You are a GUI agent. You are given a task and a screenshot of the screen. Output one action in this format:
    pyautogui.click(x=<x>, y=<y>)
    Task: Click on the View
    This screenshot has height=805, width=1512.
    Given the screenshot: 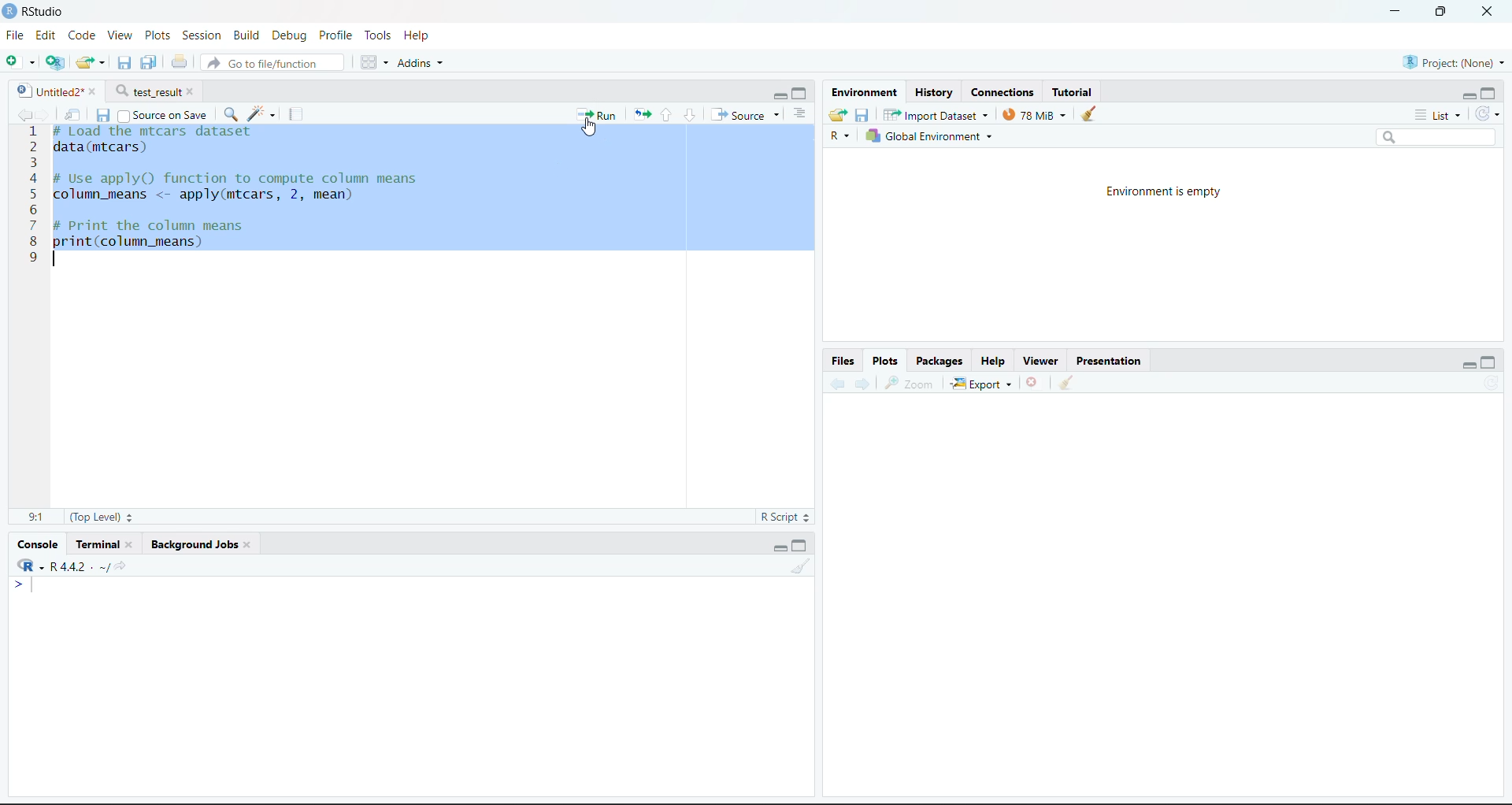 What is the action you would take?
    pyautogui.click(x=117, y=34)
    